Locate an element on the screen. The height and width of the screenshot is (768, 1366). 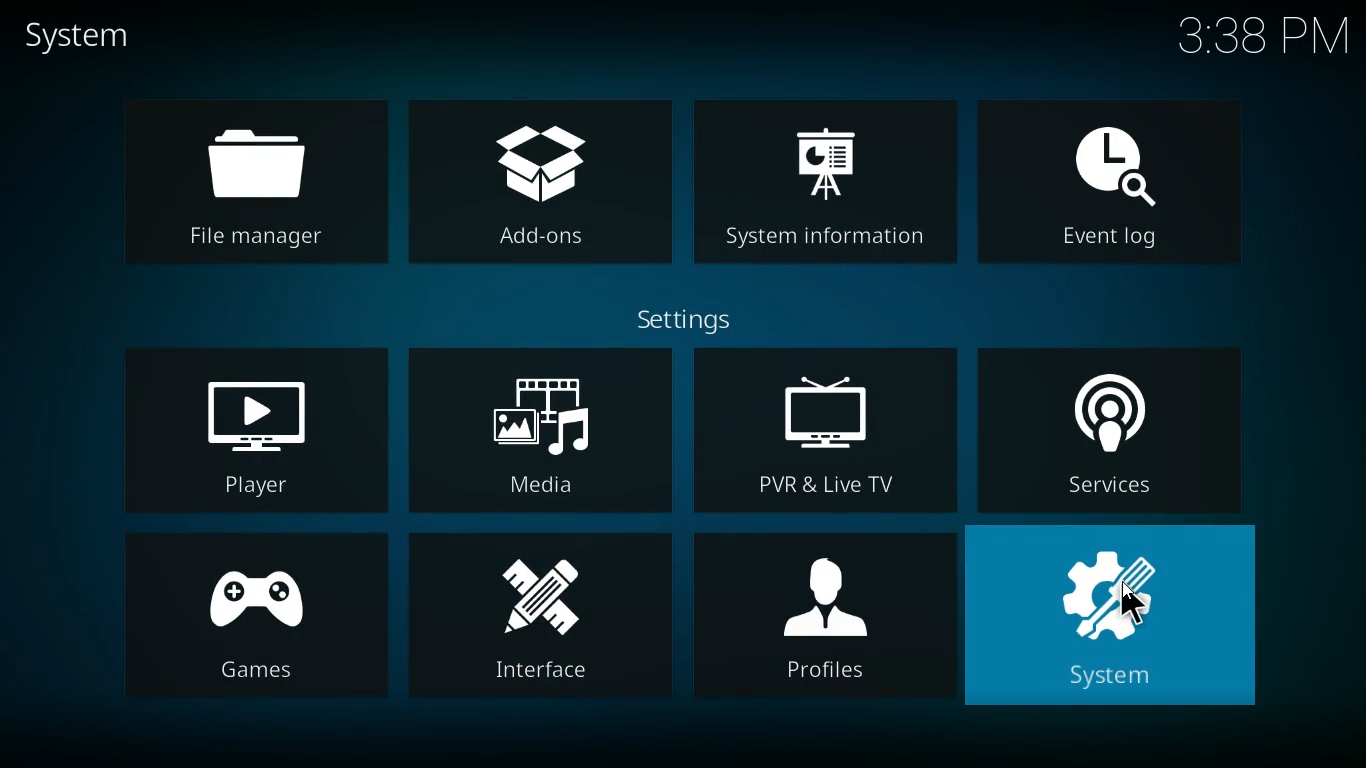
system information is located at coordinates (827, 193).